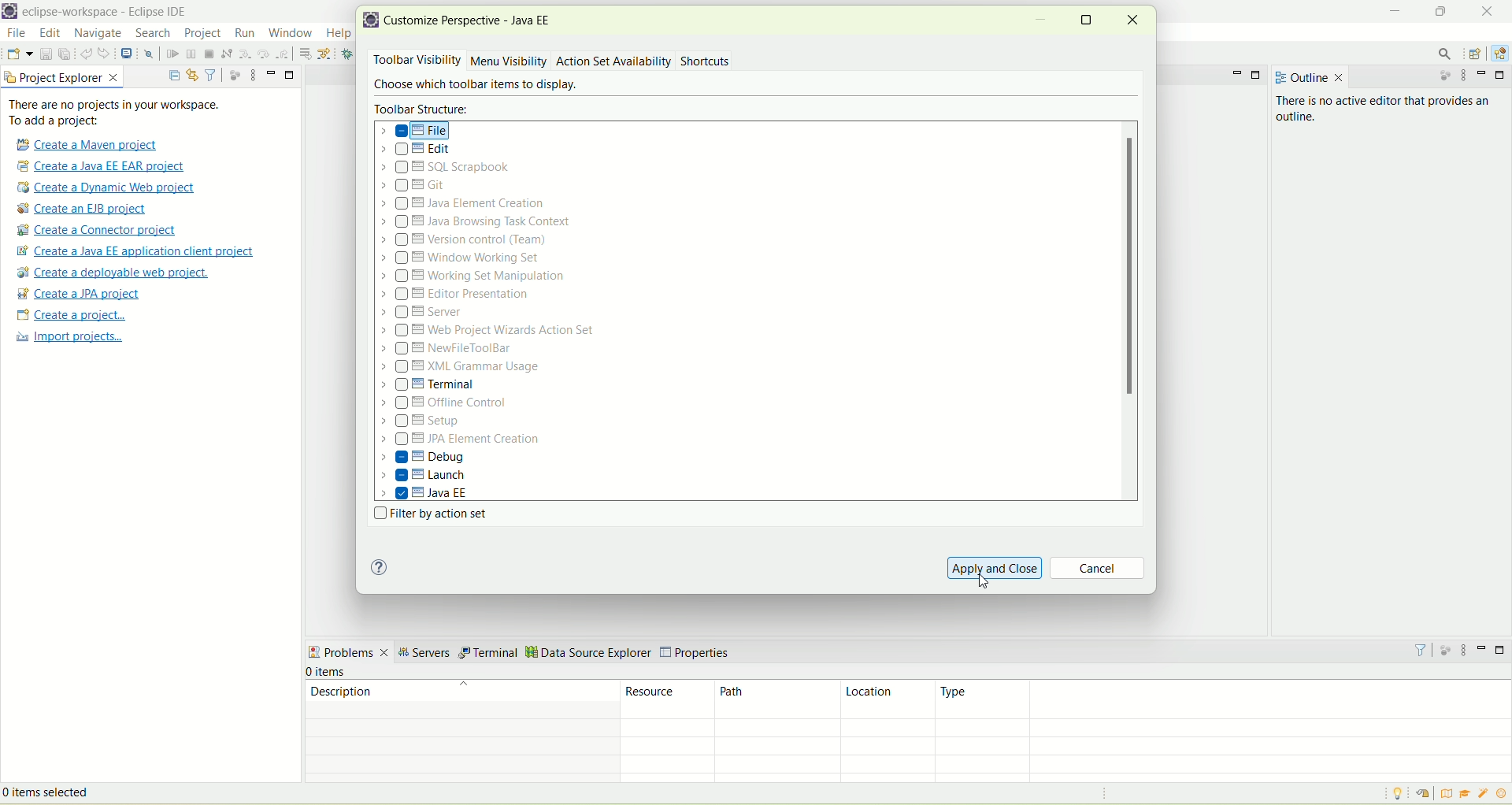  Describe the element at coordinates (44, 54) in the screenshot. I see `save` at that location.